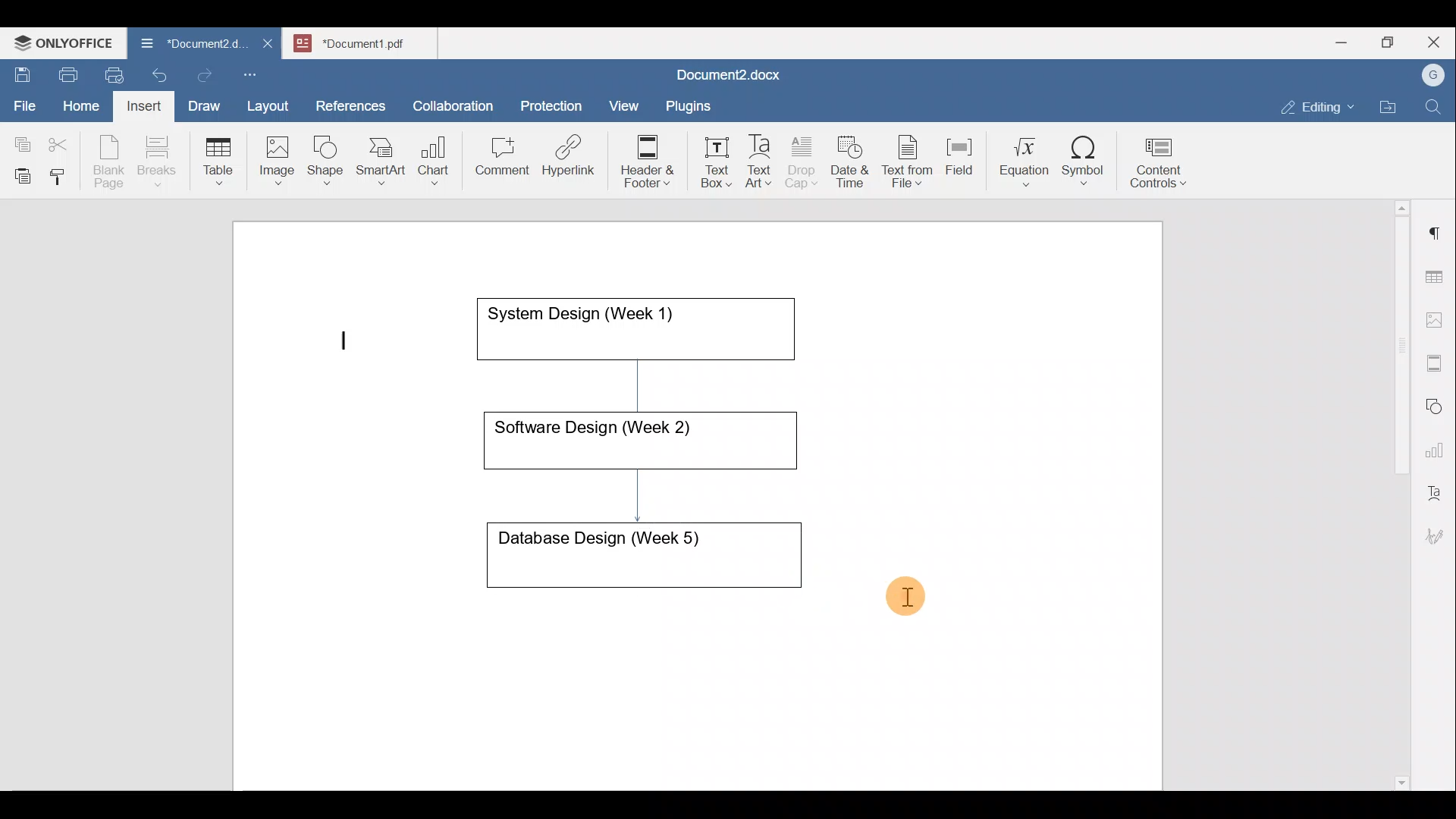  What do you see at coordinates (625, 101) in the screenshot?
I see `View` at bounding box center [625, 101].